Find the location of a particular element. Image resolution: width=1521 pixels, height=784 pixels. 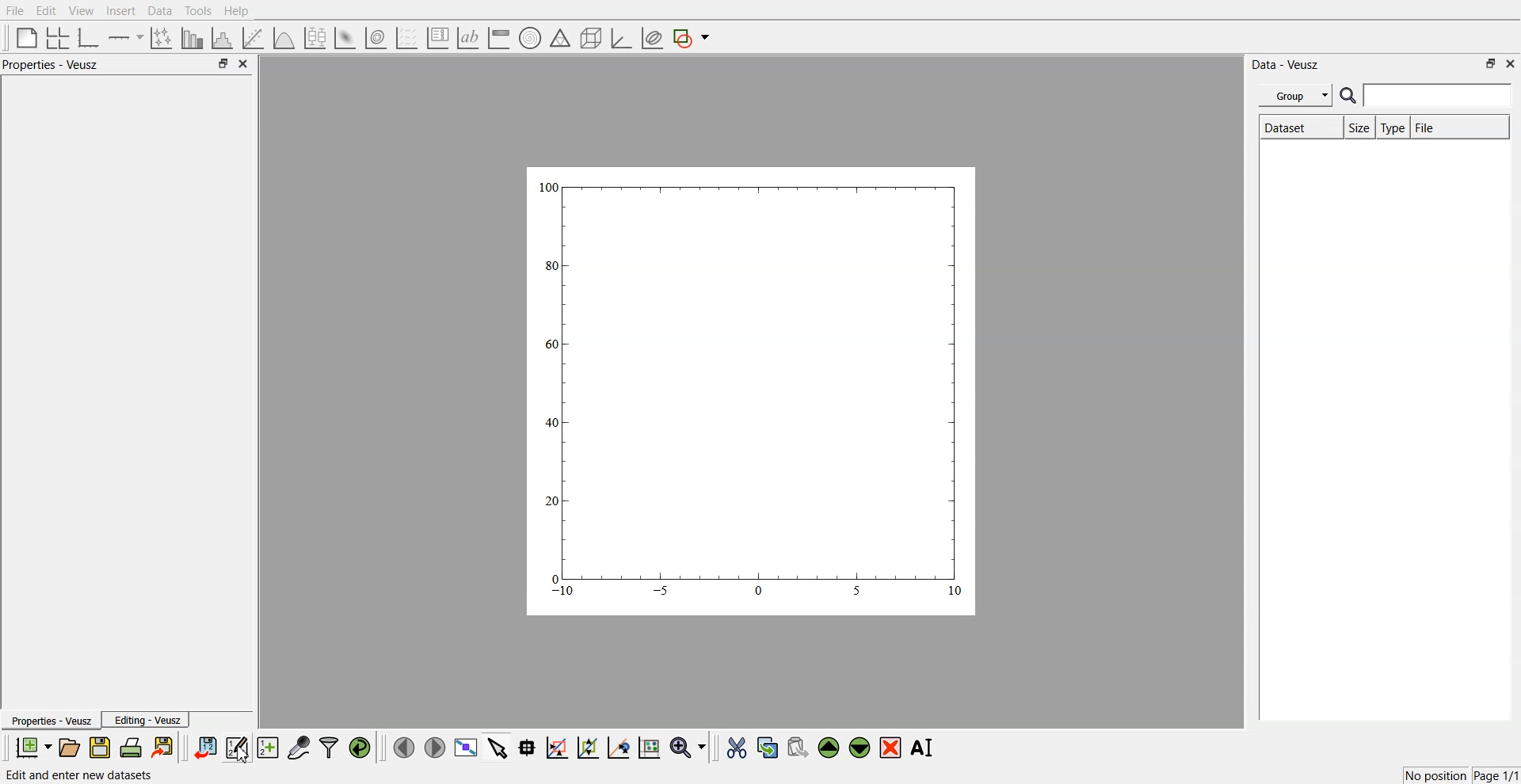

search icon is located at coordinates (1350, 95).